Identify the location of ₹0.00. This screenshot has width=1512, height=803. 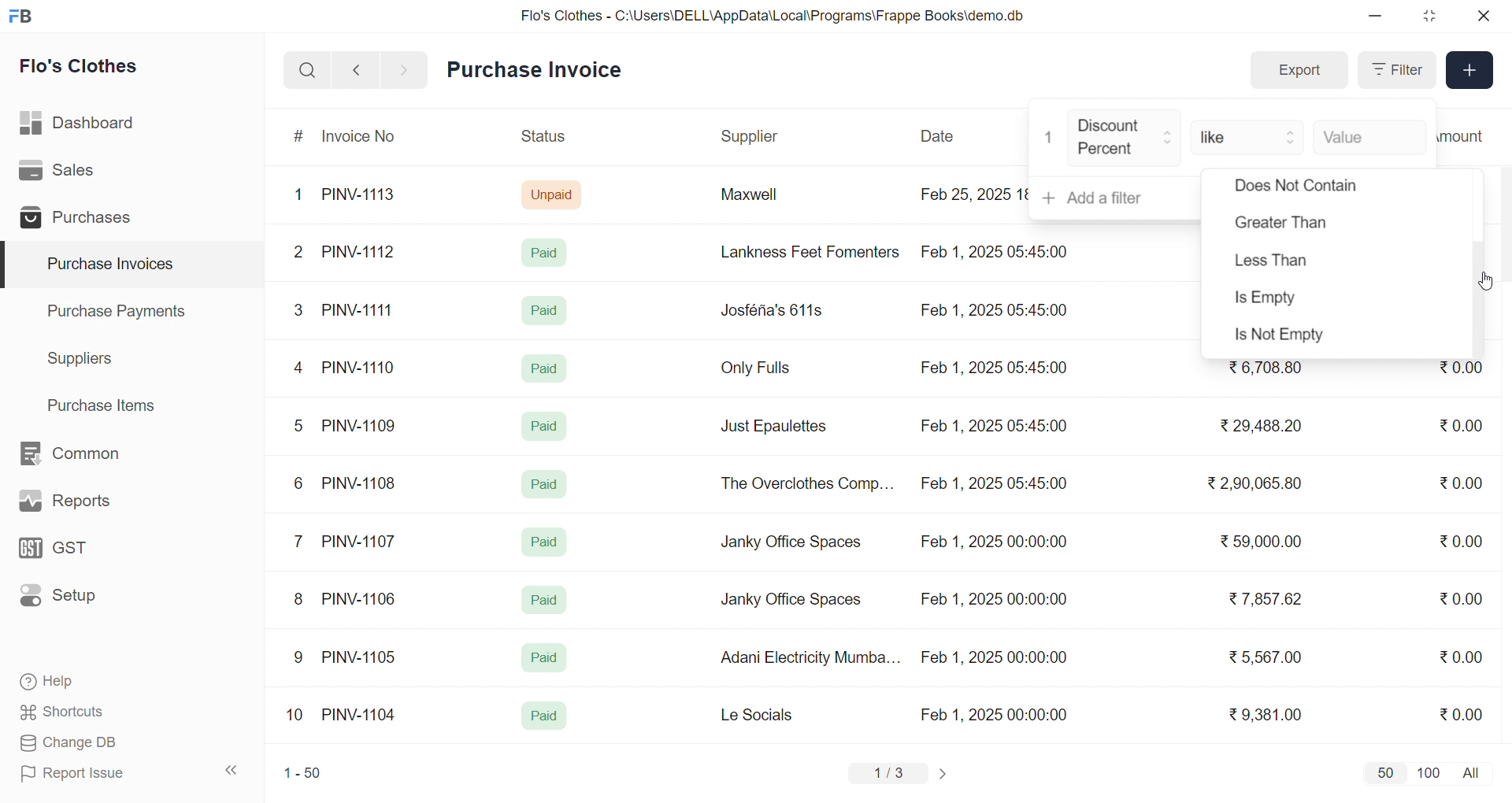
(1462, 656).